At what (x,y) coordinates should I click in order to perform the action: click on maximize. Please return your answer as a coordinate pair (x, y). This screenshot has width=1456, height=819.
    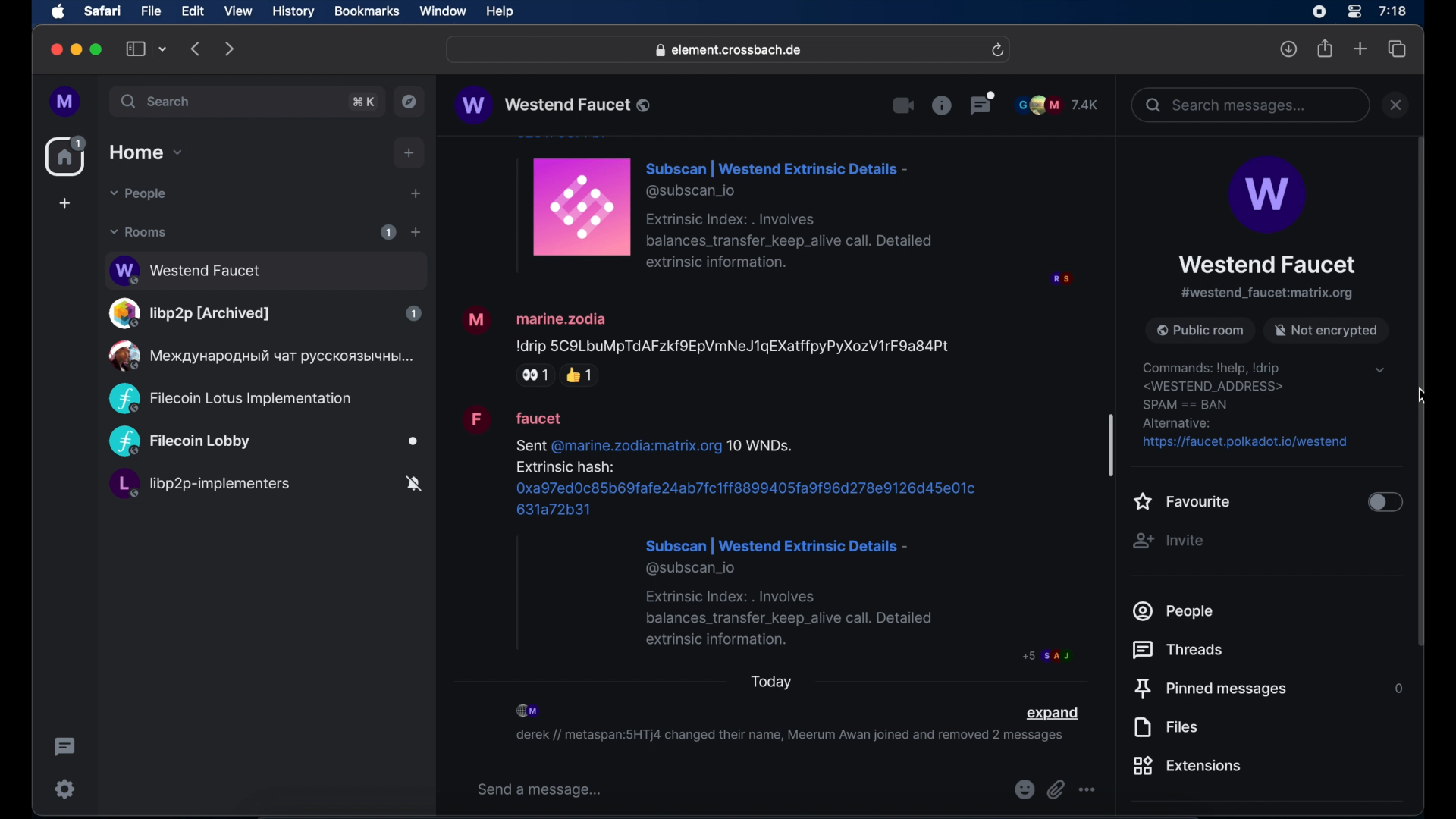
    Looking at the image, I should click on (98, 49).